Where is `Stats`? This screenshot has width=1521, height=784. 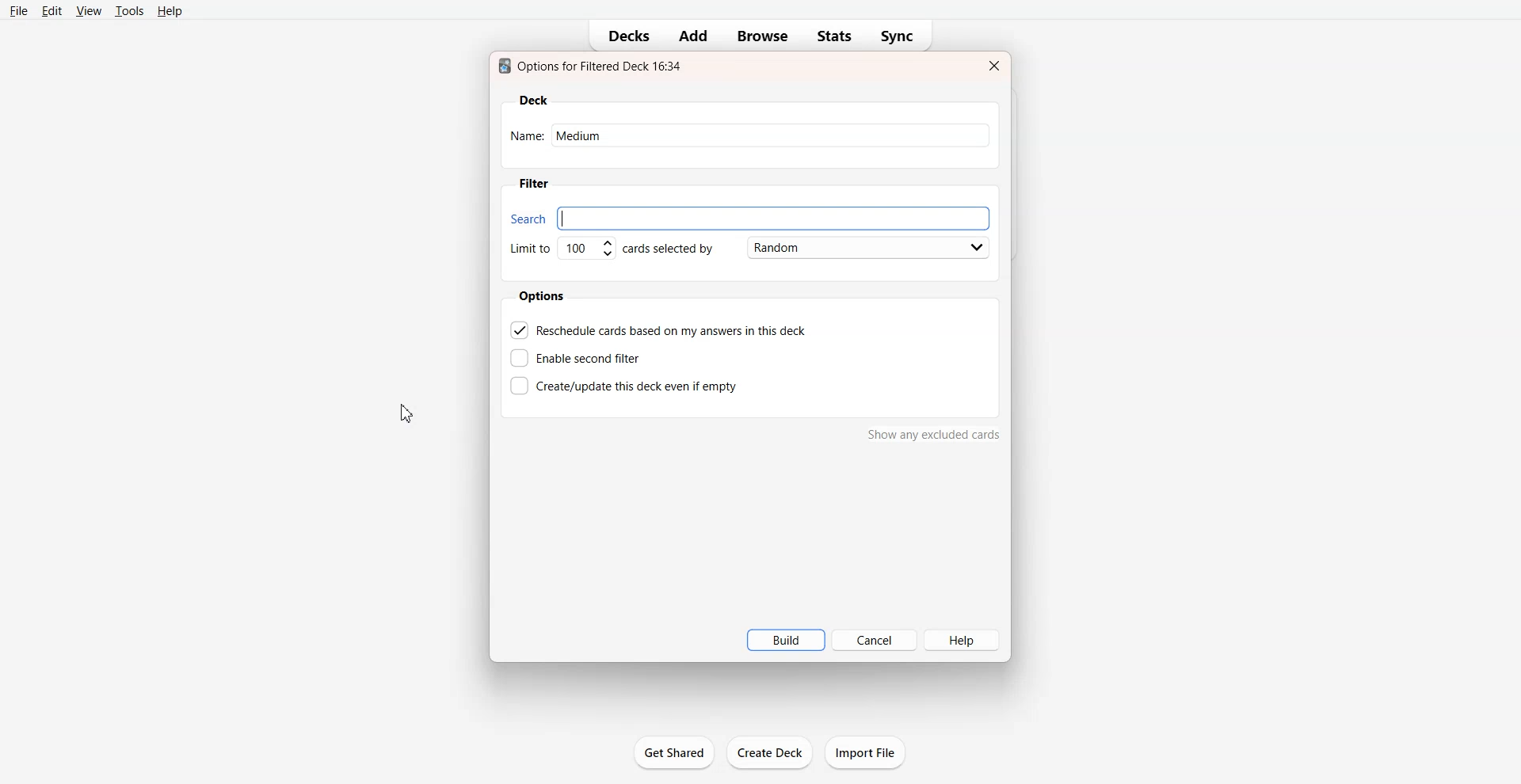
Stats is located at coordinates (834, 36).